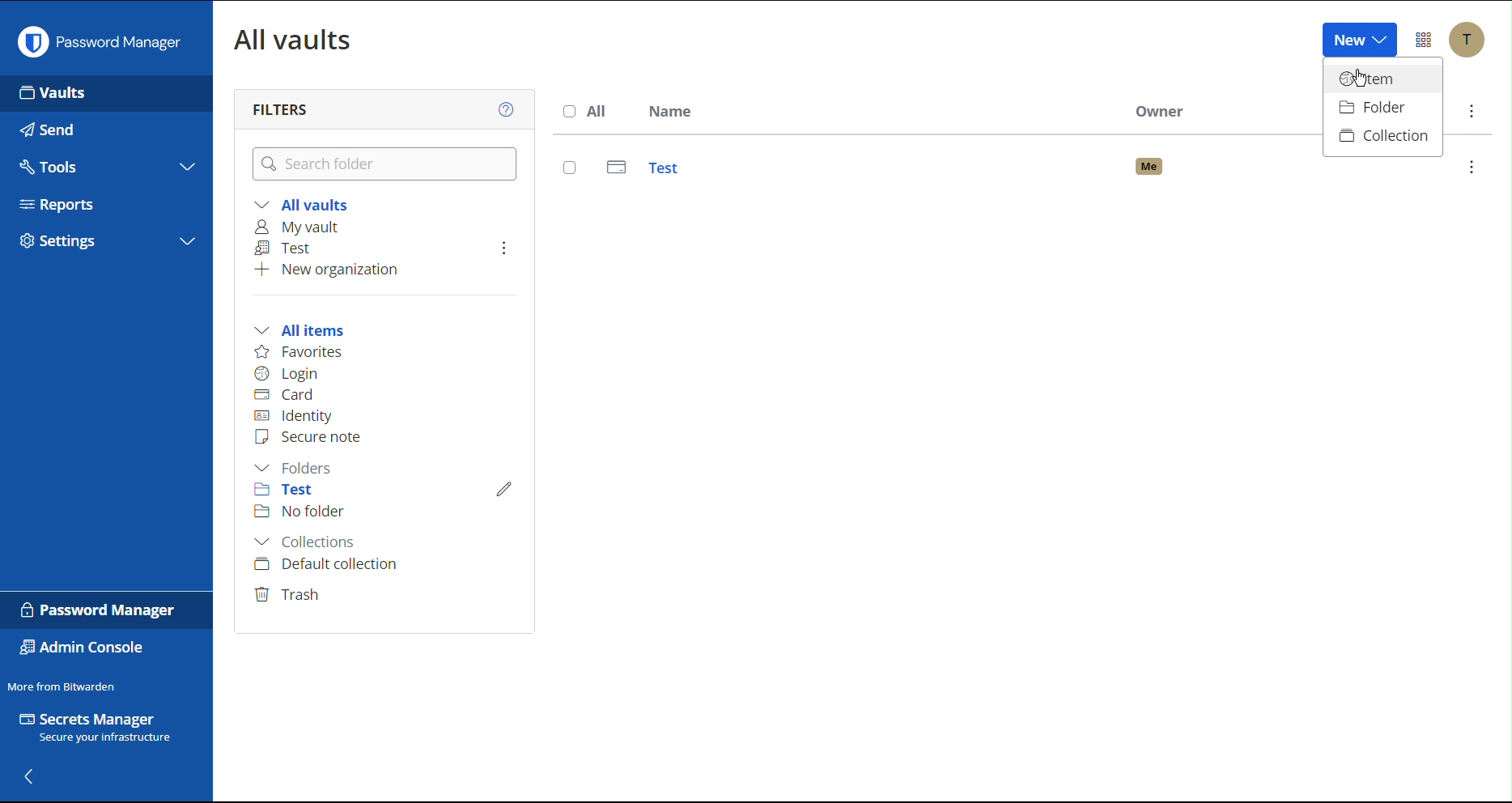 This screenshot has height=803, width=1512. Describe the element at coordinates (1469, 111) in the screenshot. I see `More` at that location.